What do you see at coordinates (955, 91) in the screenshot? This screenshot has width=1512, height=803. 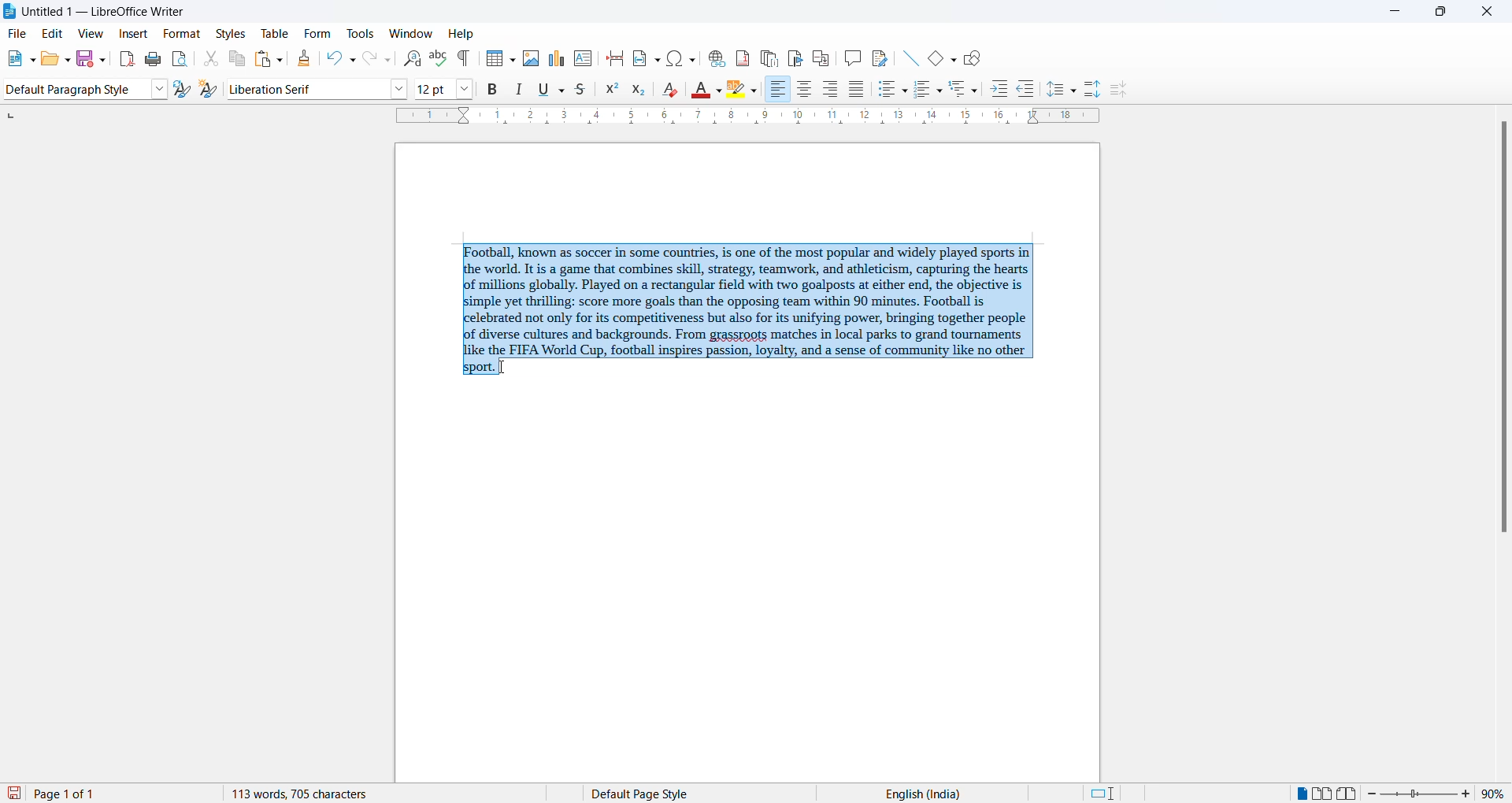 I see `outline format ` at bounding box center [955, 91].